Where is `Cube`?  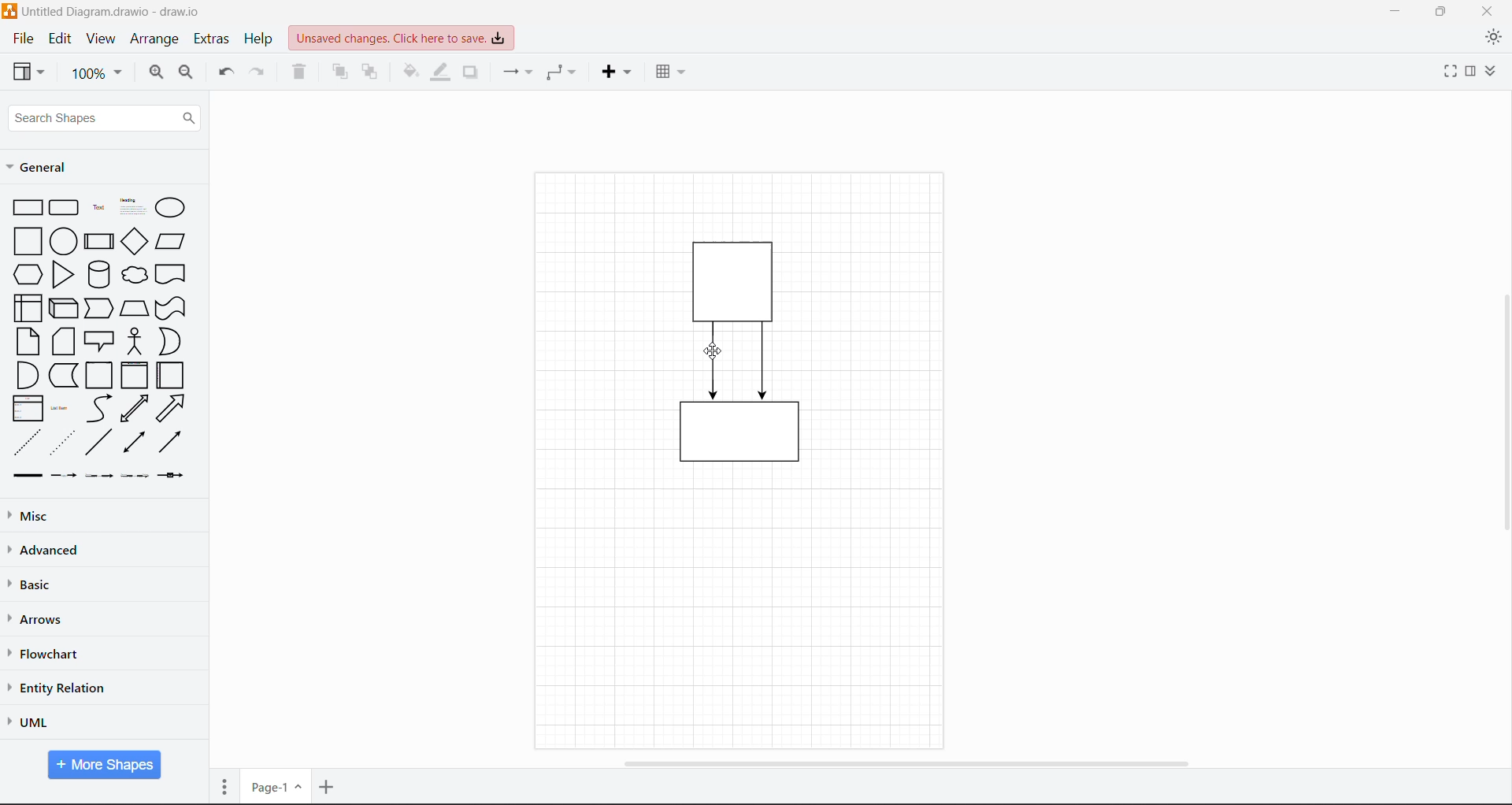 Cube is located at coordinates (62, 307).